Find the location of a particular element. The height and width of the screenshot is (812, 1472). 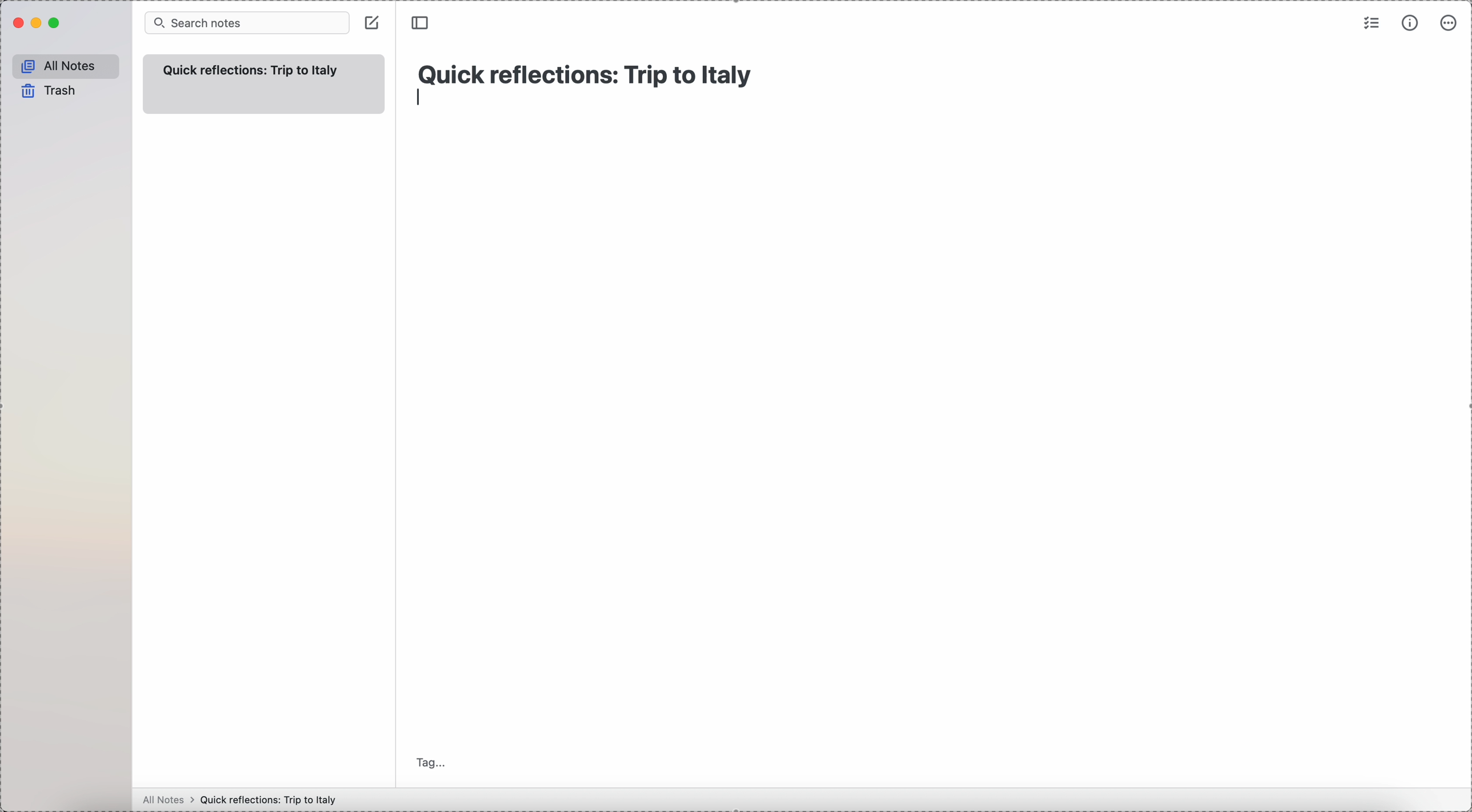

toggle sidebar is located at coordinates (422, 23).